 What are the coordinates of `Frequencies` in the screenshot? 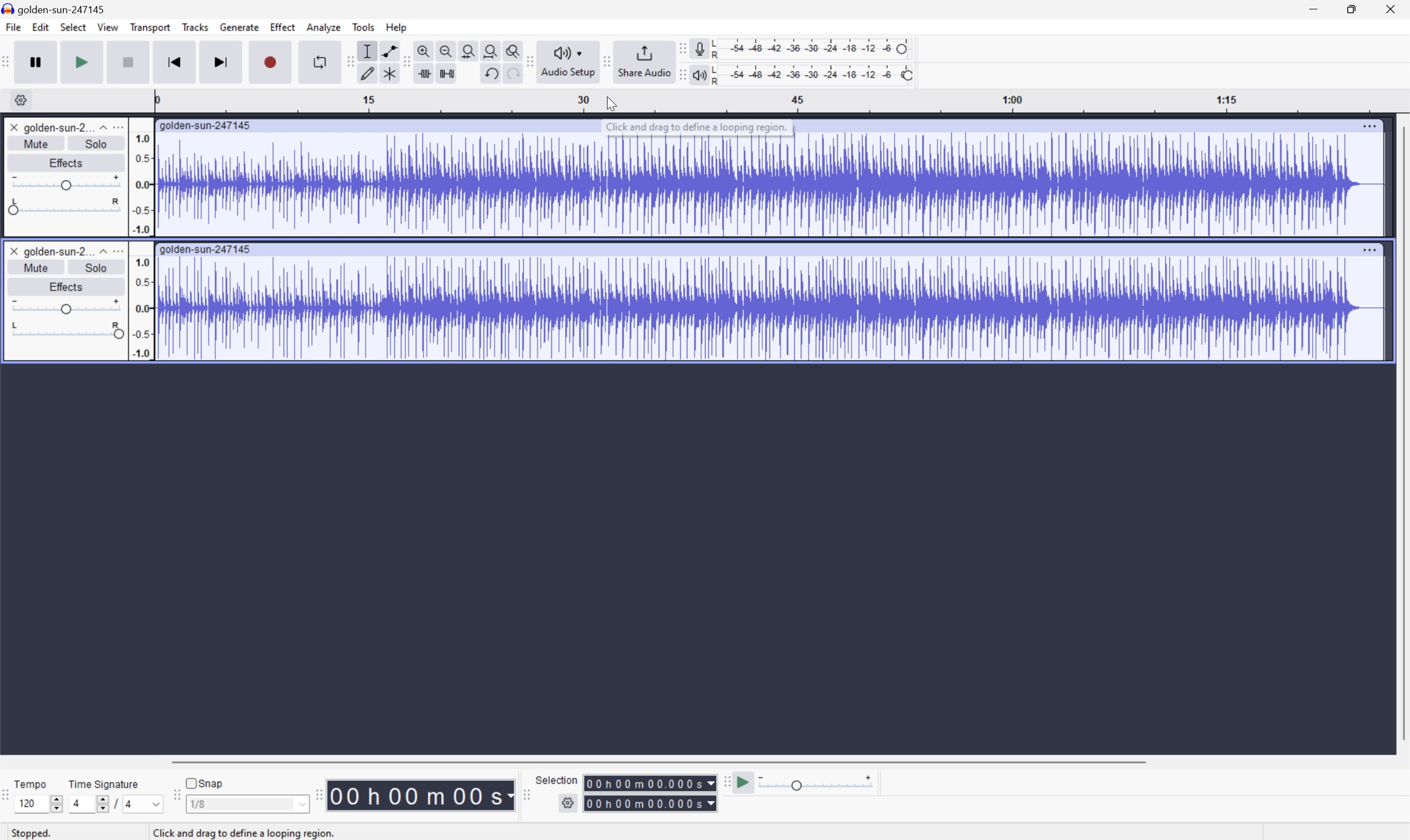 It's located at (142, 248).